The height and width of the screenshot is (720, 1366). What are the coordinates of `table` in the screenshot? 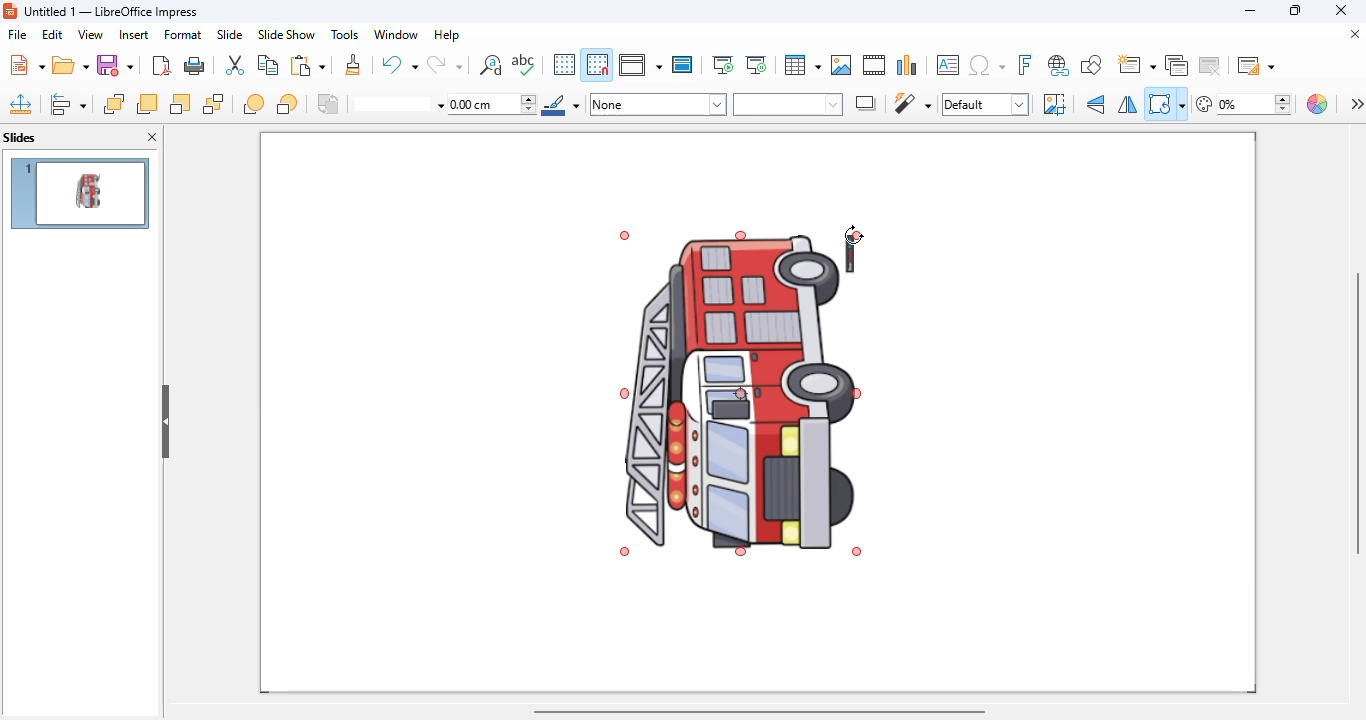 It's located at (803, 65).